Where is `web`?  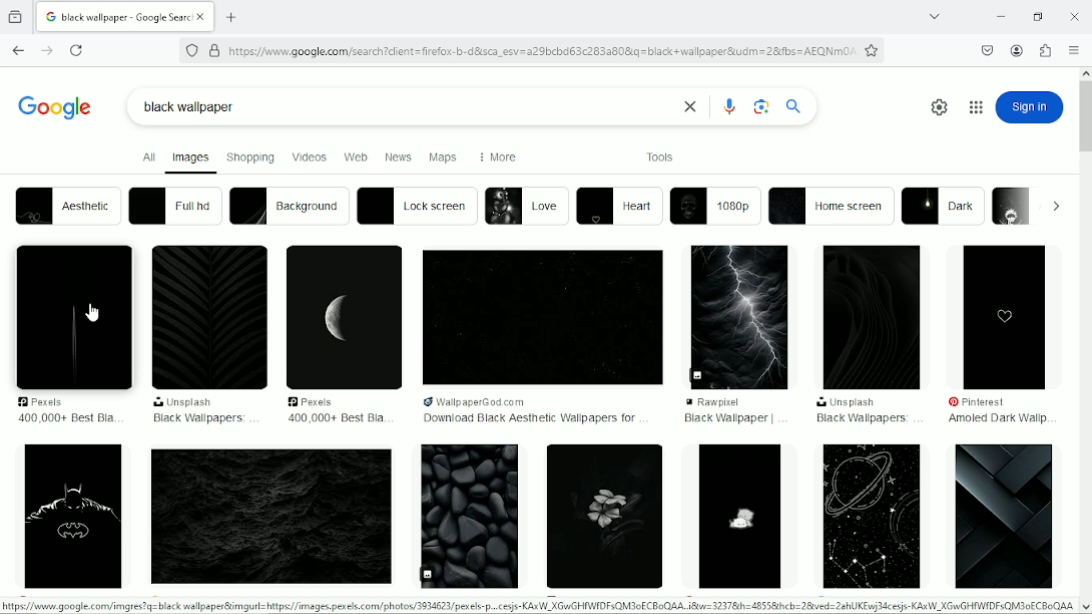
web is located at coordinates (355, 158).